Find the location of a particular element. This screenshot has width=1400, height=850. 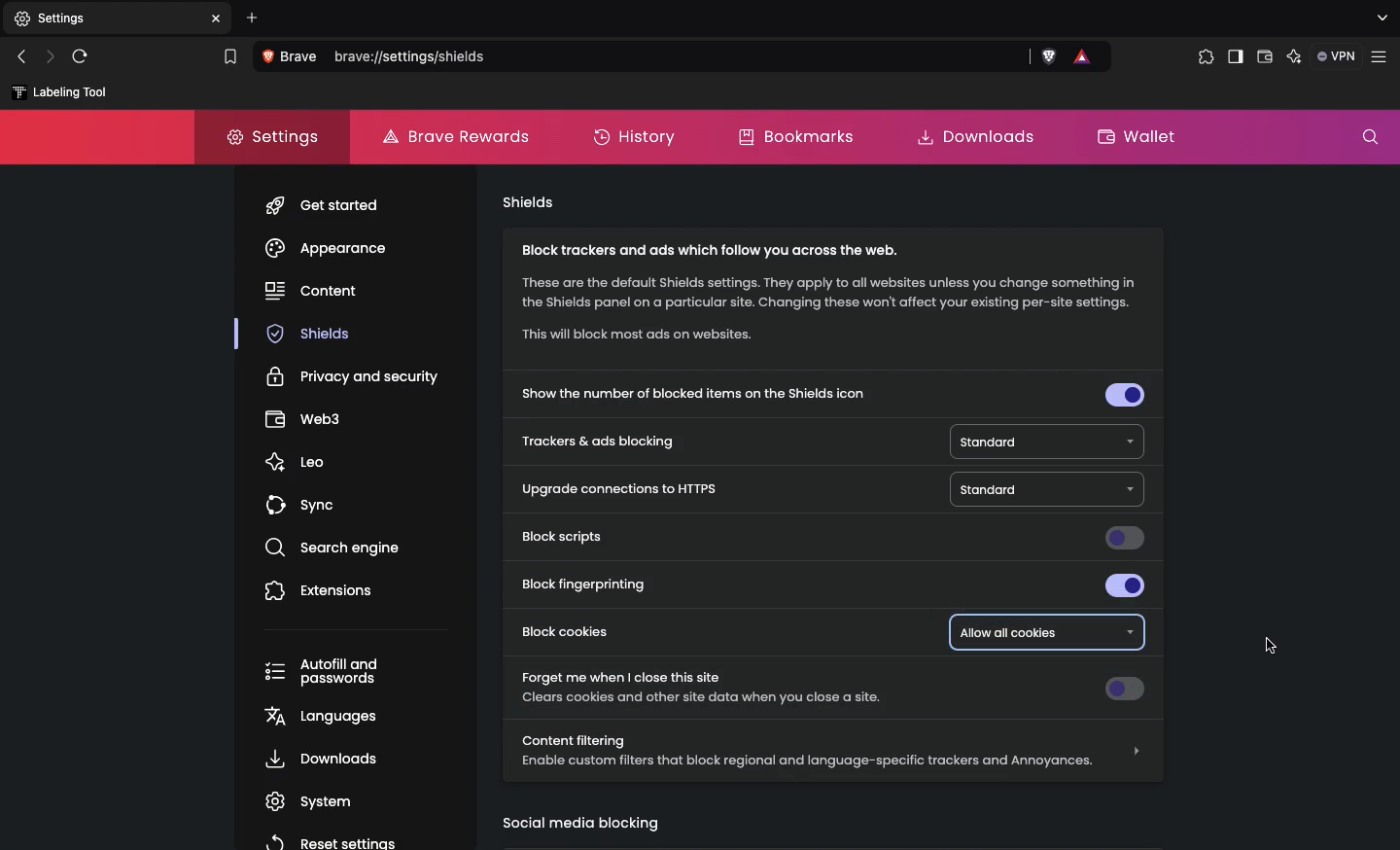

languages is located at coordinates (326, 718).